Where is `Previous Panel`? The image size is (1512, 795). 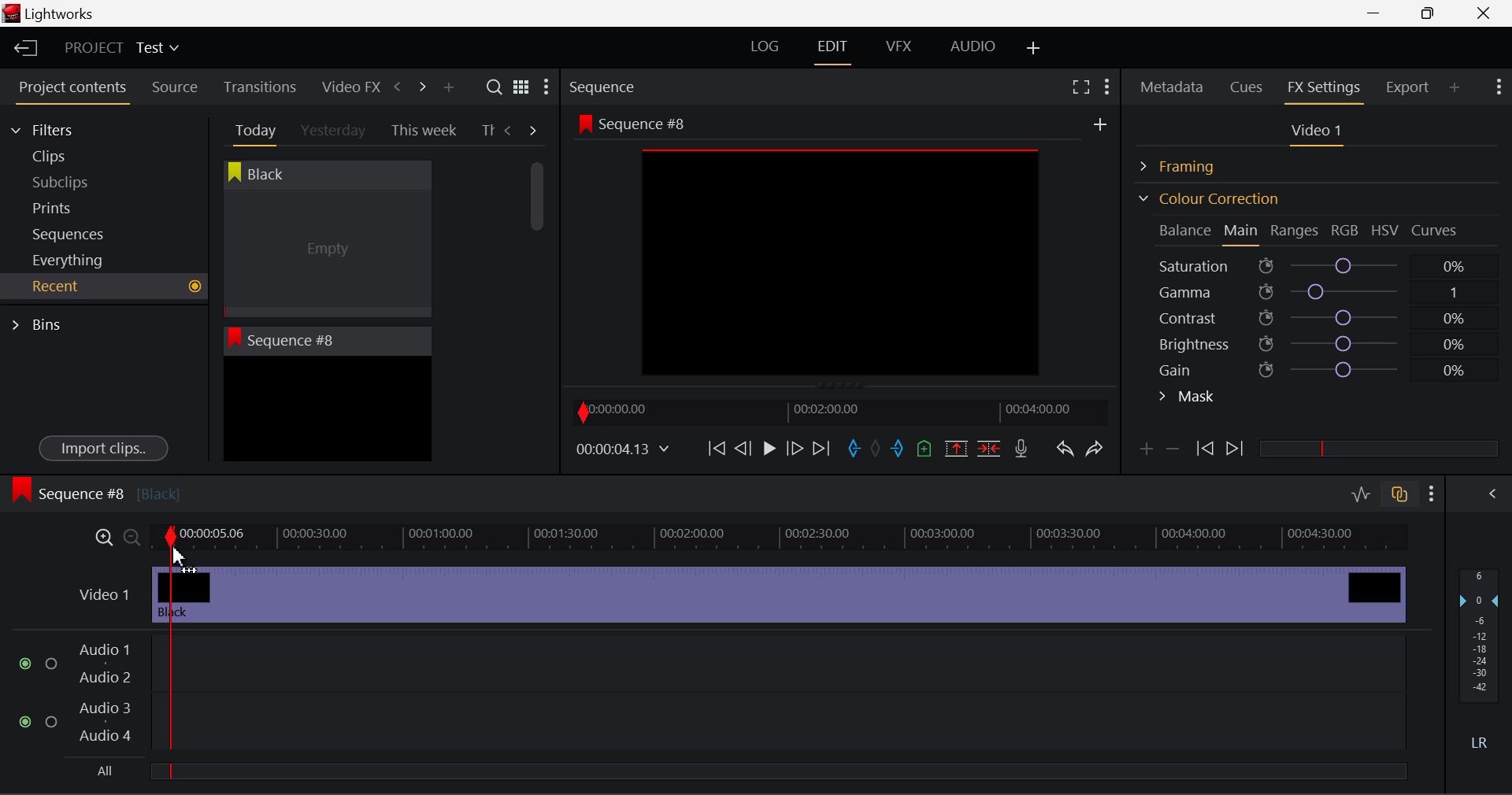
Previous Panel is located at coordinates (397, 87).